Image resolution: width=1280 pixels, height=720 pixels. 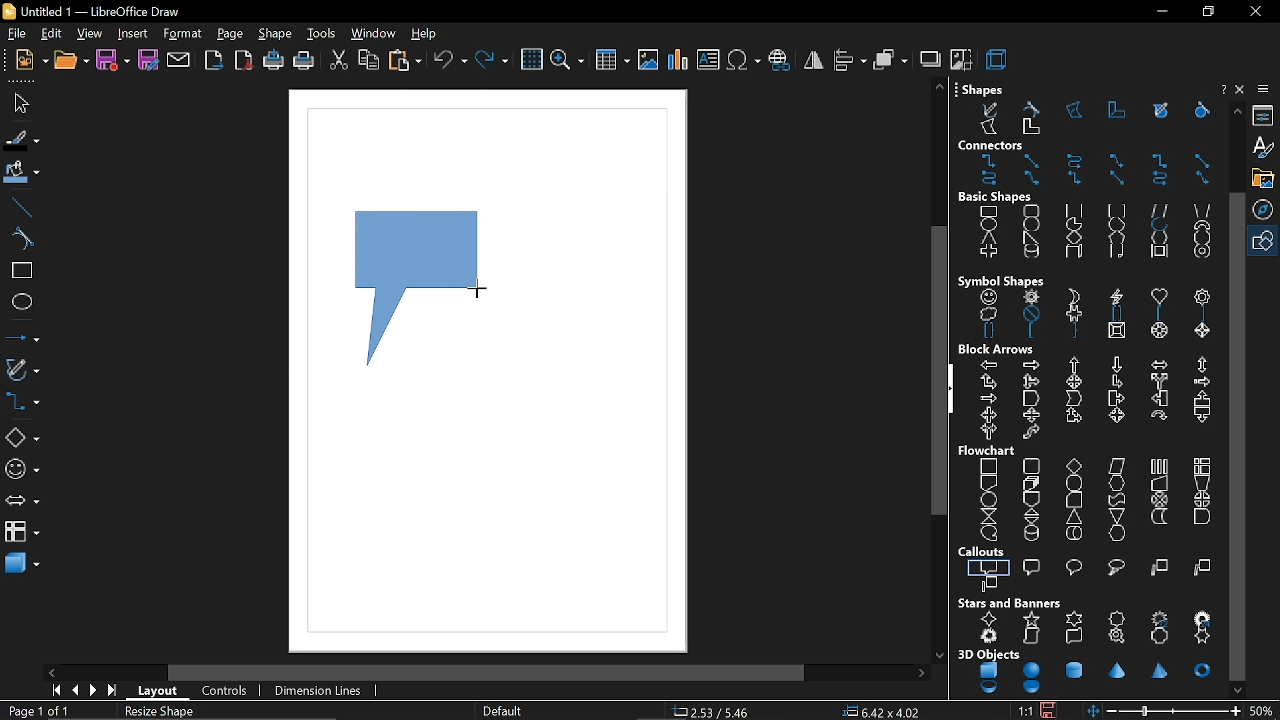 I want to click on 3d effect, so click(x=996, y=59).